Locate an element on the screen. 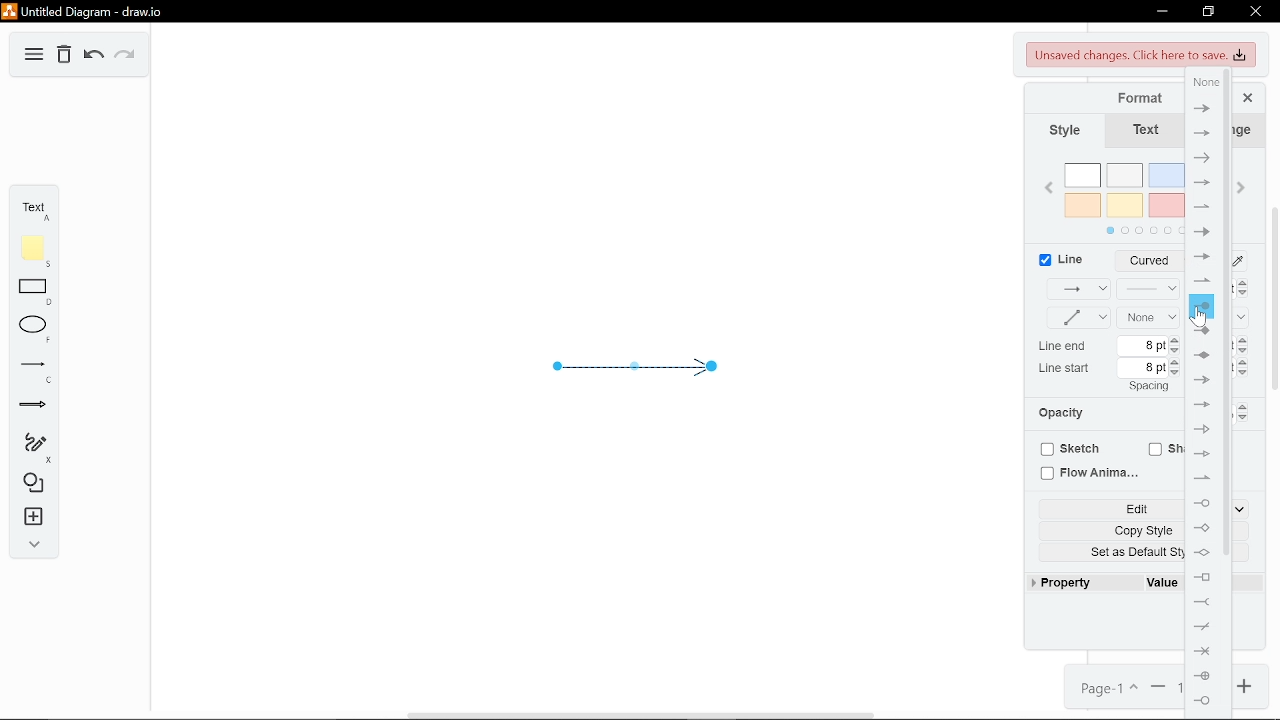 The height and width of the screenshot is (720, 1280). Property is located at coordinates (1070, 584).